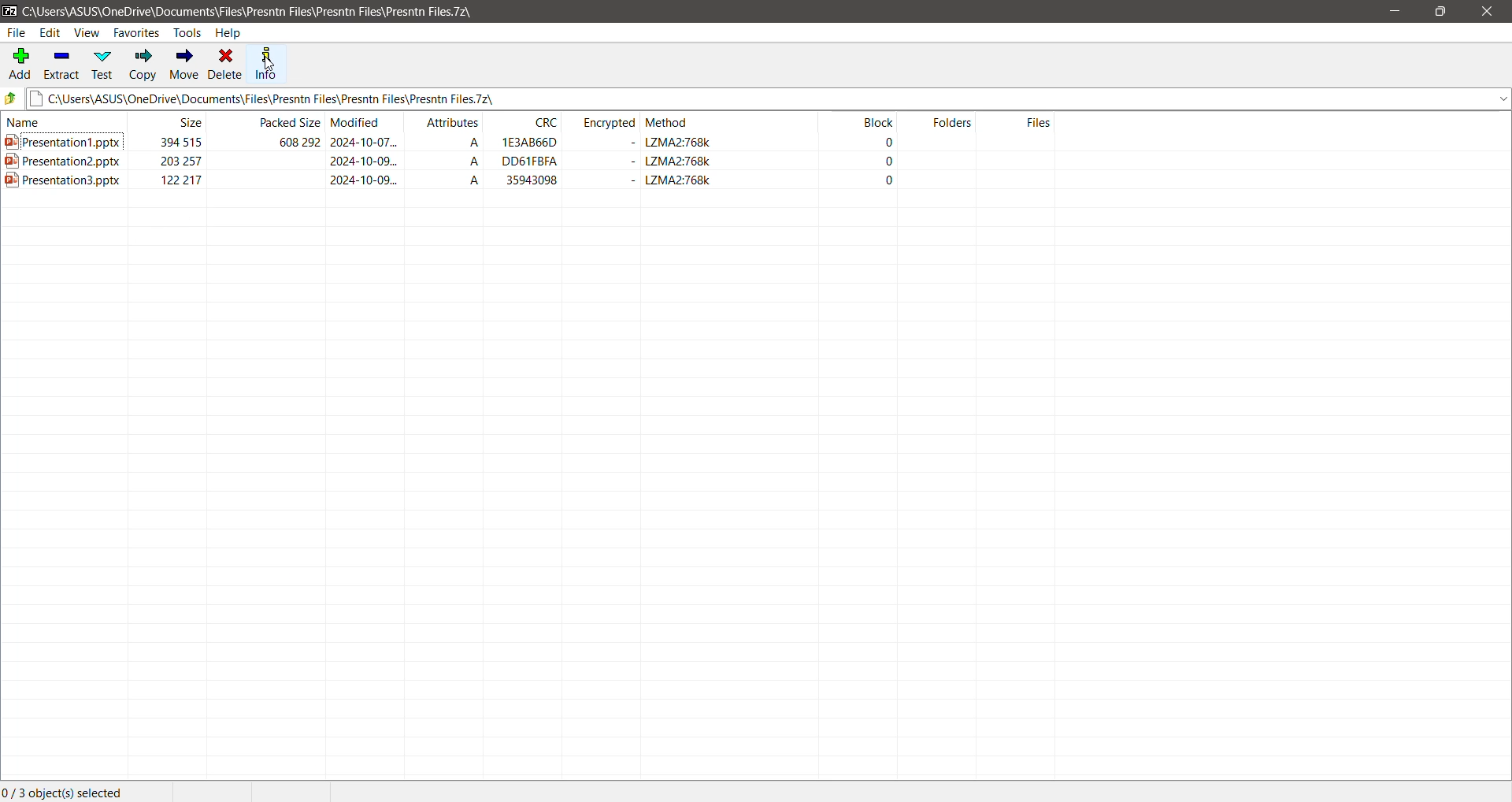 This screenshot has height=802, width=1512. Describe the element at coordinates (176, 162) in the screenshot. I see `203 257` at that location.